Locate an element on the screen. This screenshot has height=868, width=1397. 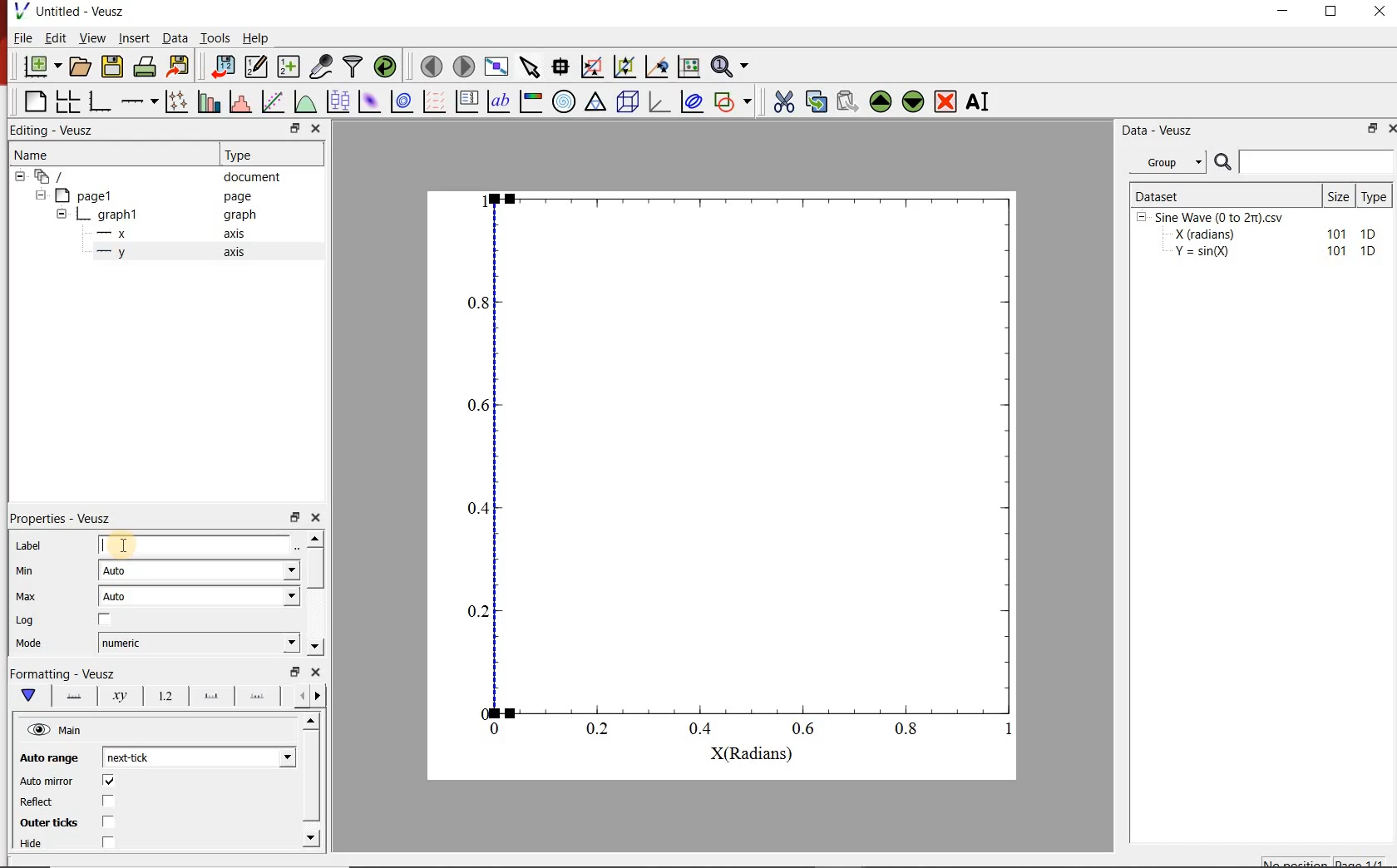
Data - Veusz is located at coordinates (1160, 131).